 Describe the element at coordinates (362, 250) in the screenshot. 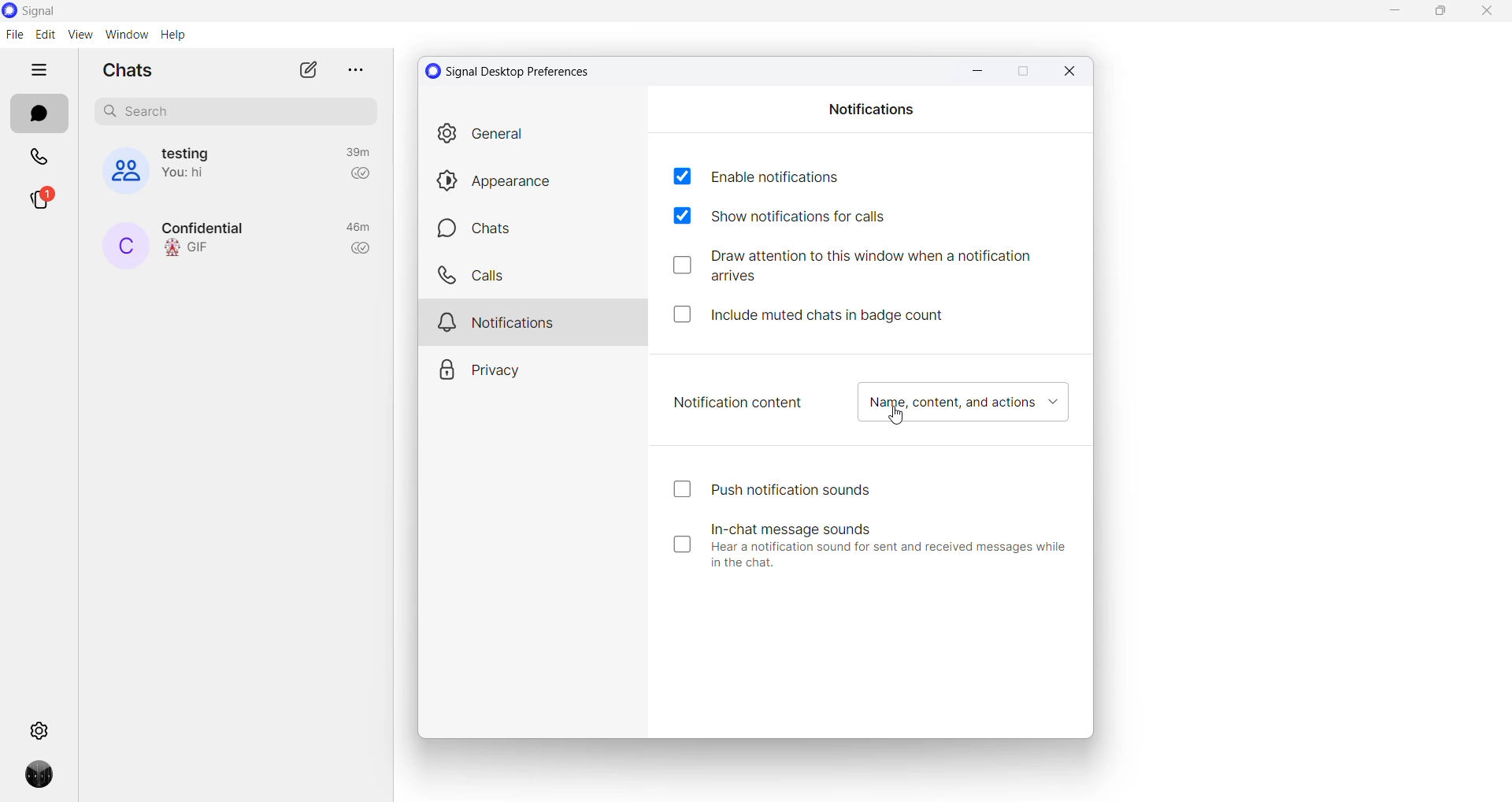

I see `read recipient` at that location.